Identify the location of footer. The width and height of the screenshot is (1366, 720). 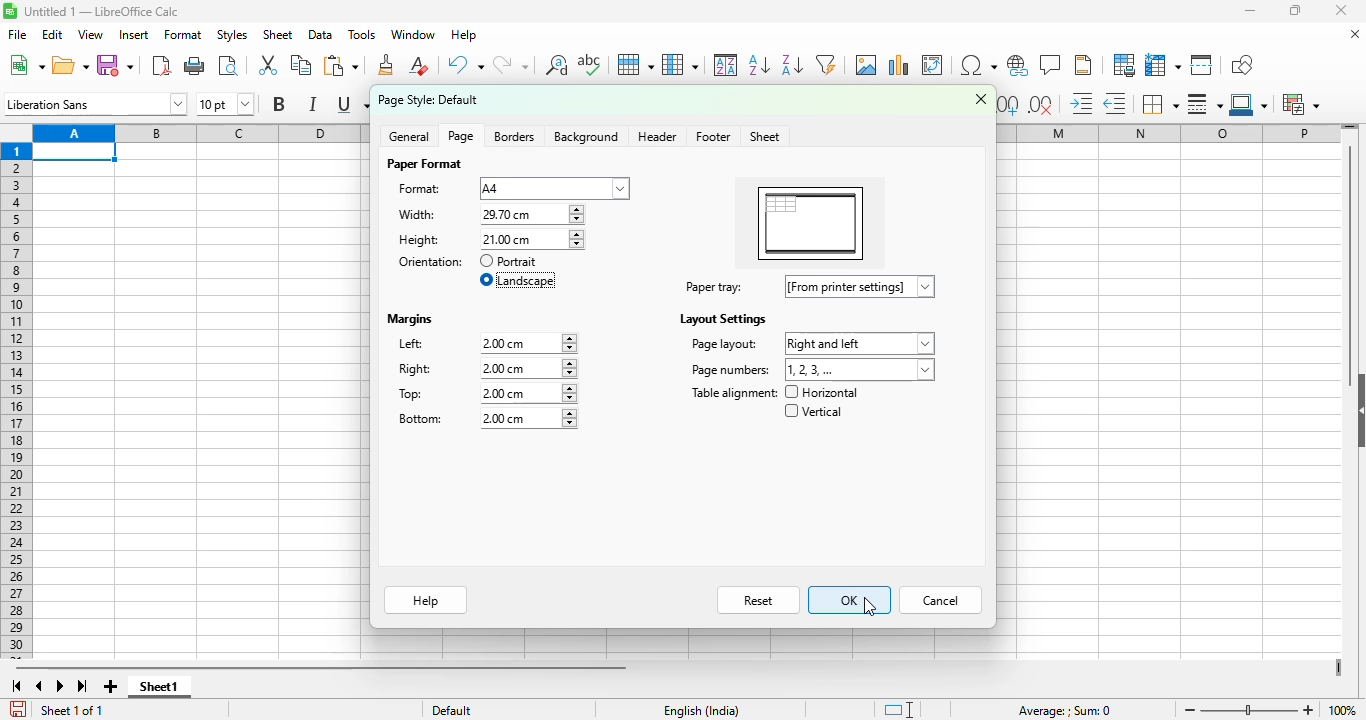
(712, 137).